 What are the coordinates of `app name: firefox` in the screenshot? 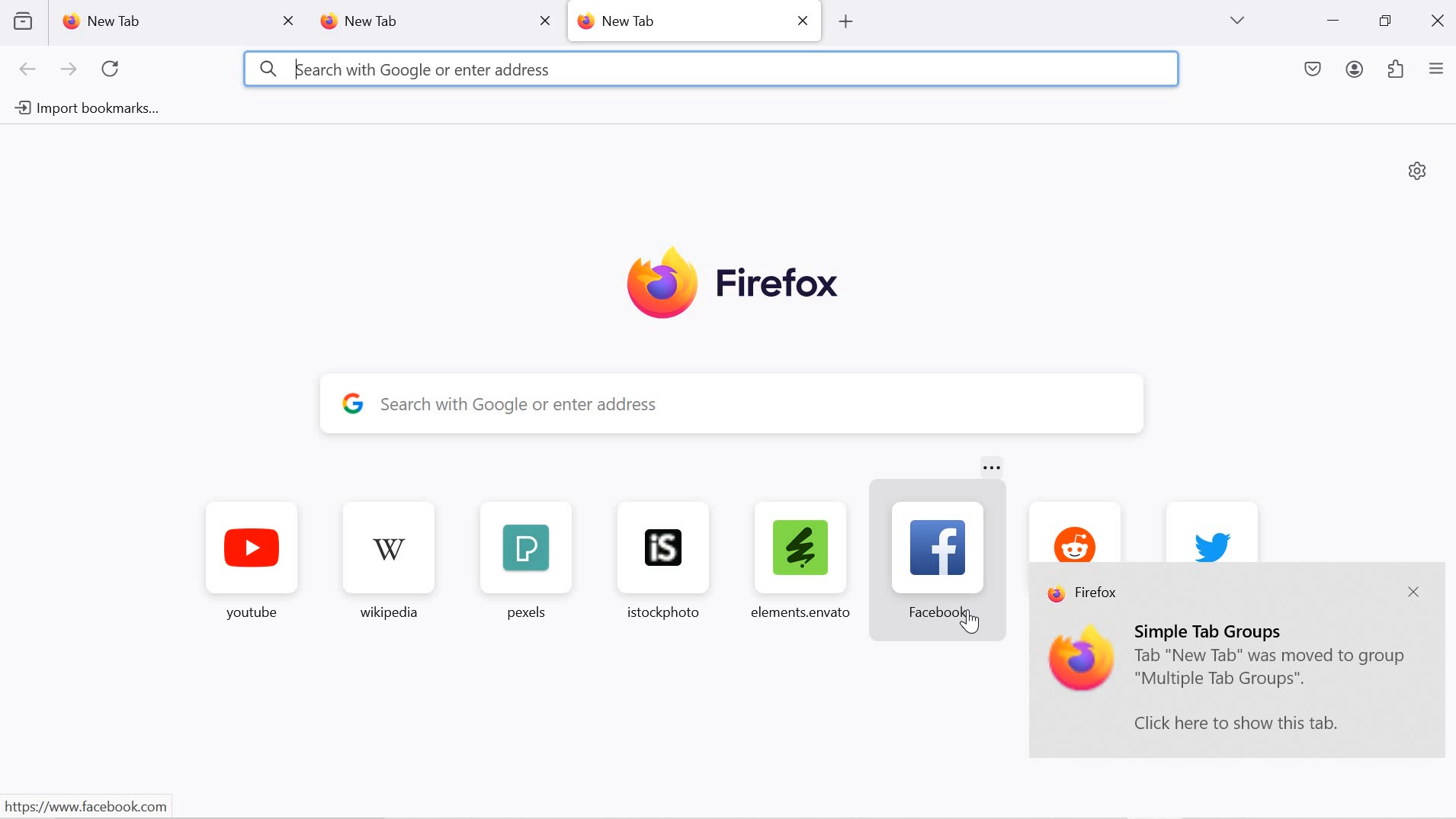 It's located at (1085, 595).